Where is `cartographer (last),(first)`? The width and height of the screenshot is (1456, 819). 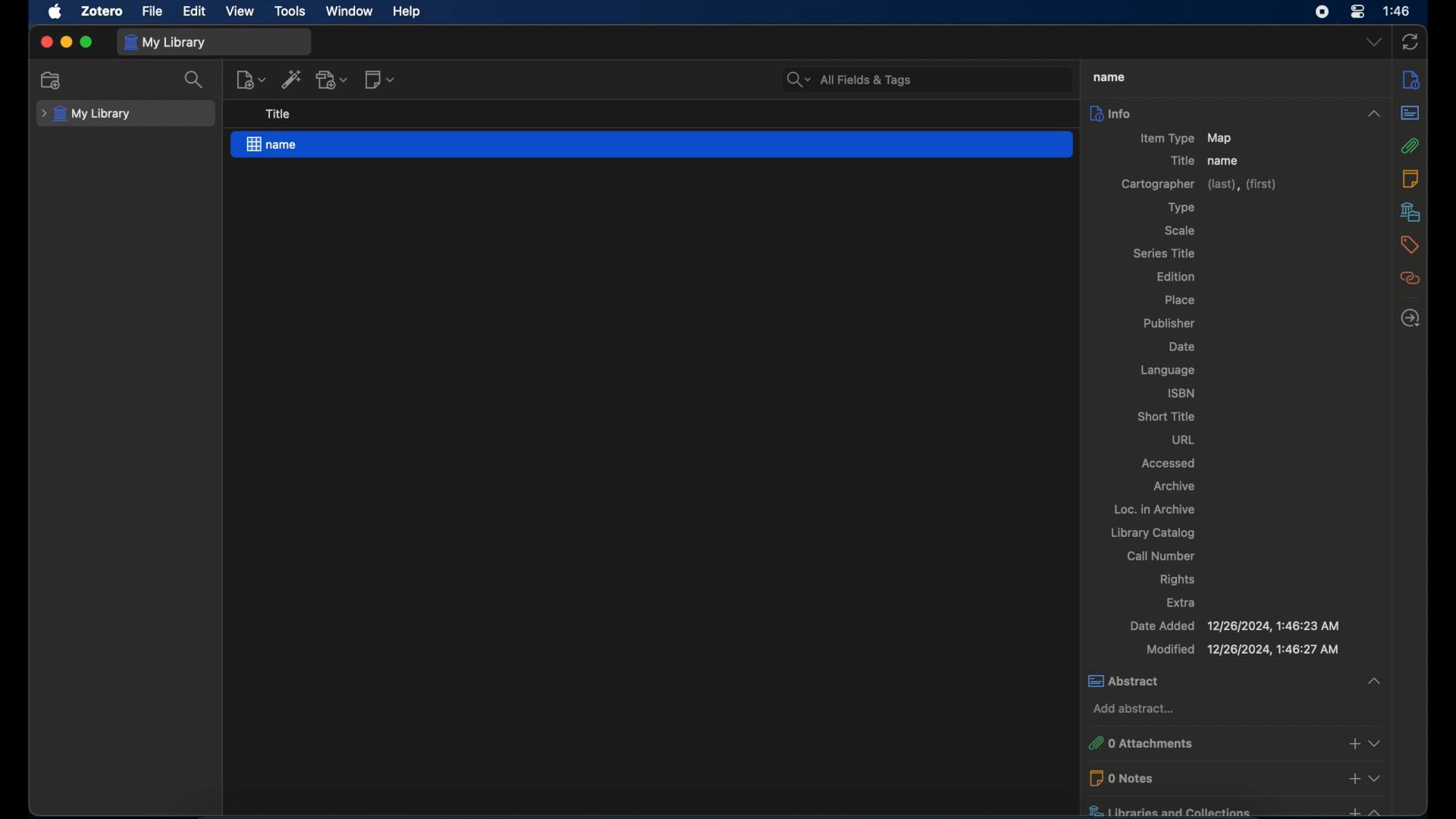 cartographer (last),(first) is located at coordinates (1200, 185).